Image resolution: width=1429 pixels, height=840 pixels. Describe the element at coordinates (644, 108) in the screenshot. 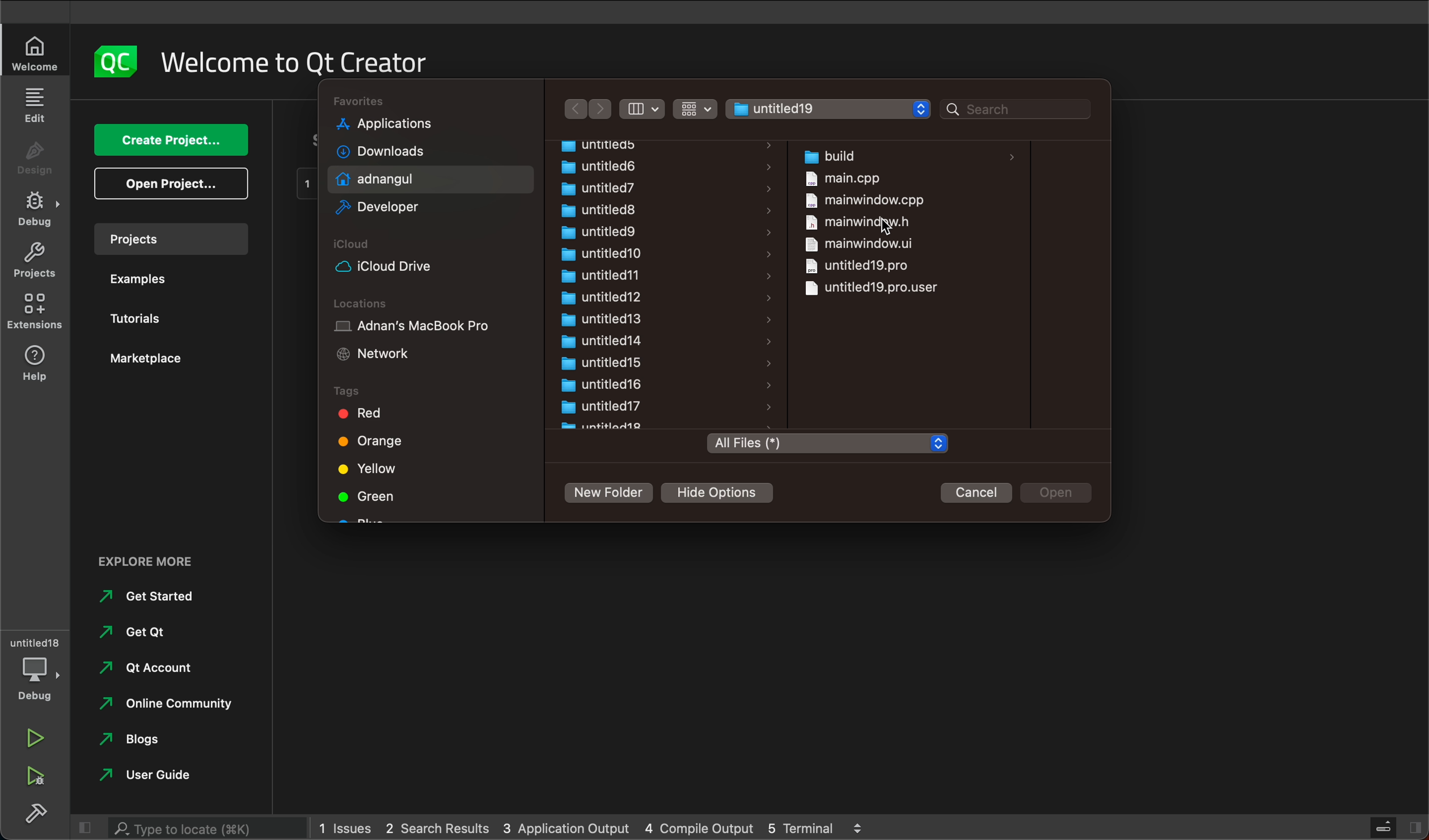

I see `filter` at that location.